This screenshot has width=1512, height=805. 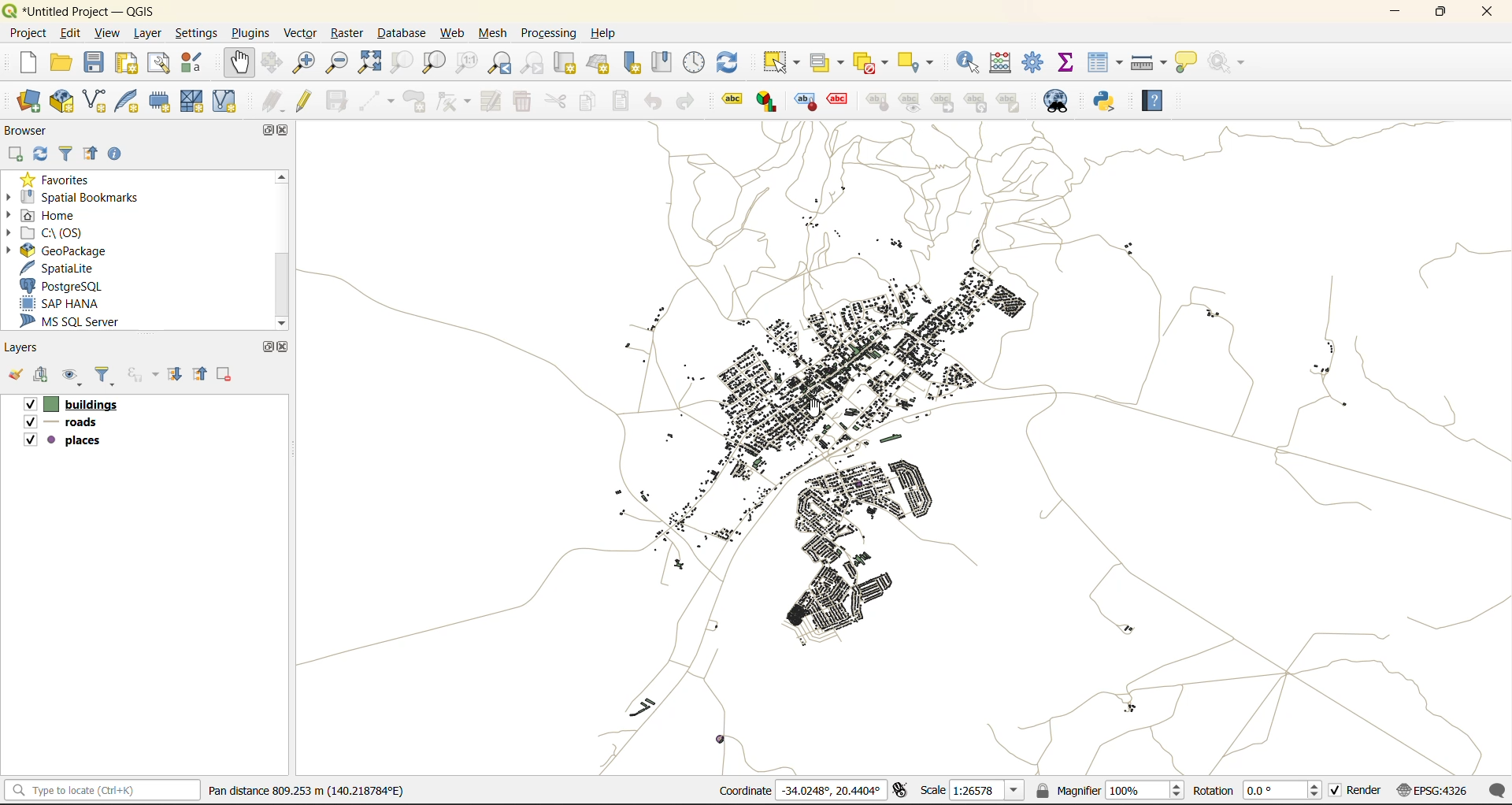 What do you see at coordinates (828, 61) in the screenshot?
I see `select value` at bounding box center [828, 61].